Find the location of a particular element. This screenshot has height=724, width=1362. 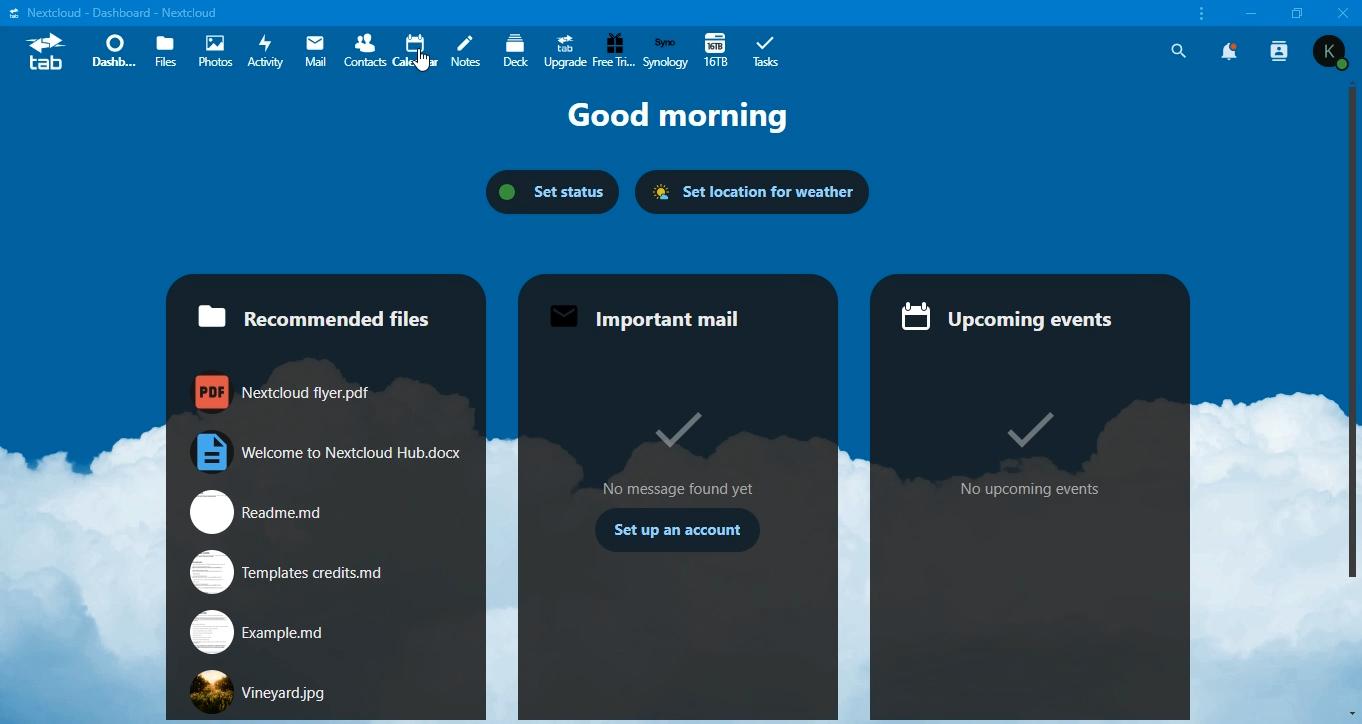

files is located at coordinates (167, 51).